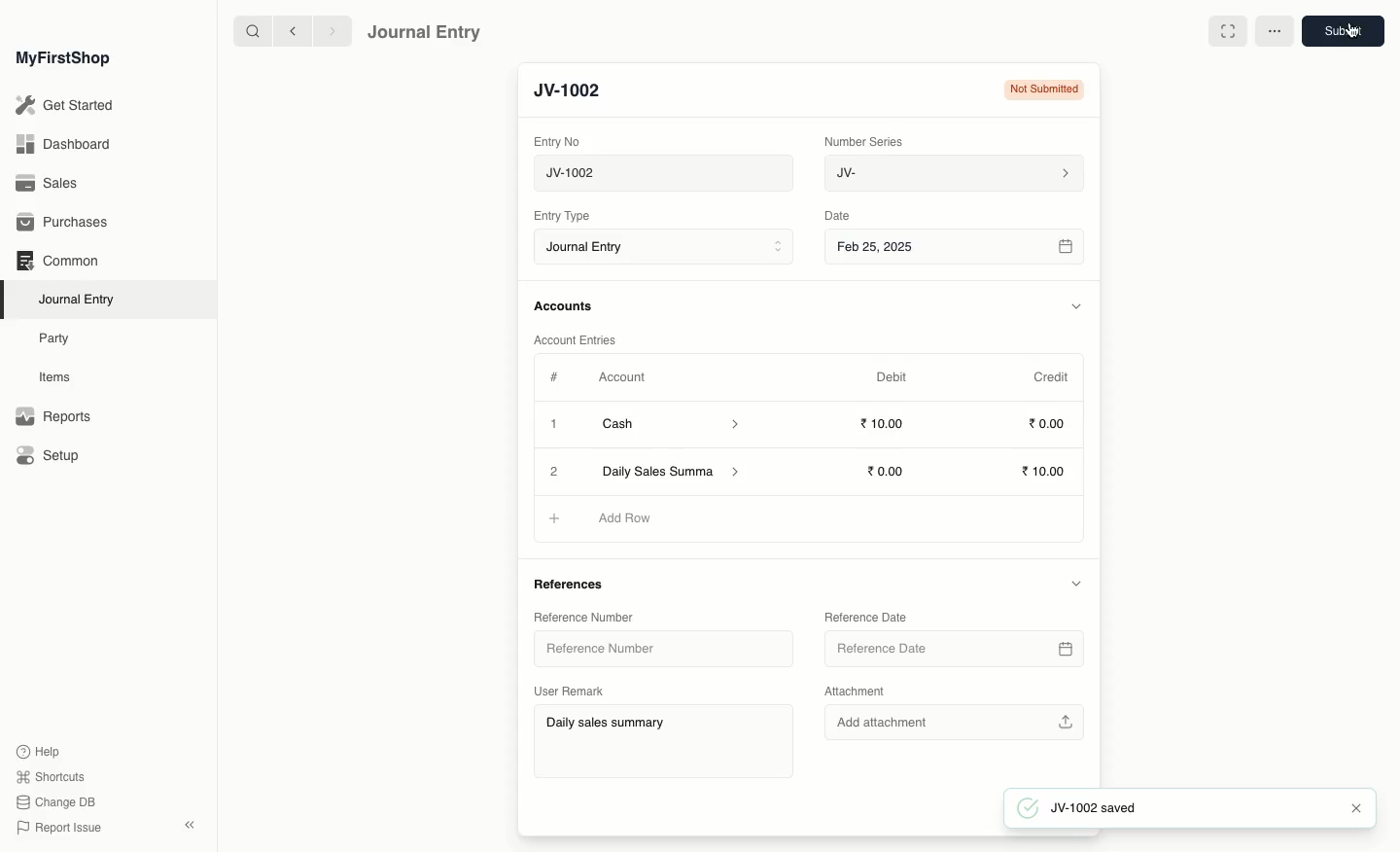  What do you see at coordinates (634, 518) in the screenshot?
I see `INCOME` at bounding box center [634, 518].